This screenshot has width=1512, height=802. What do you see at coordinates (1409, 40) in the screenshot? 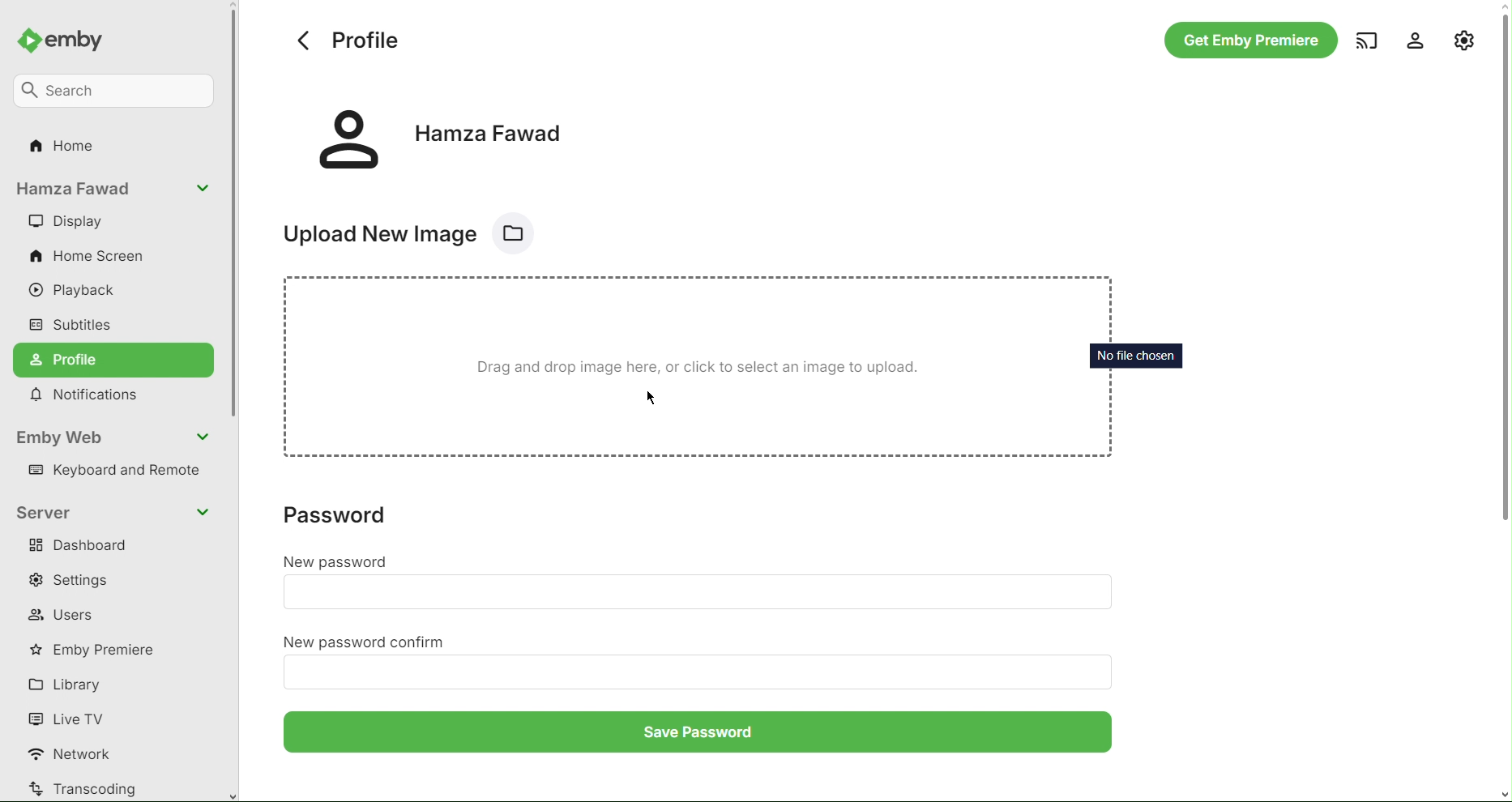
I see `Account` at bounding box center [1409, 40].